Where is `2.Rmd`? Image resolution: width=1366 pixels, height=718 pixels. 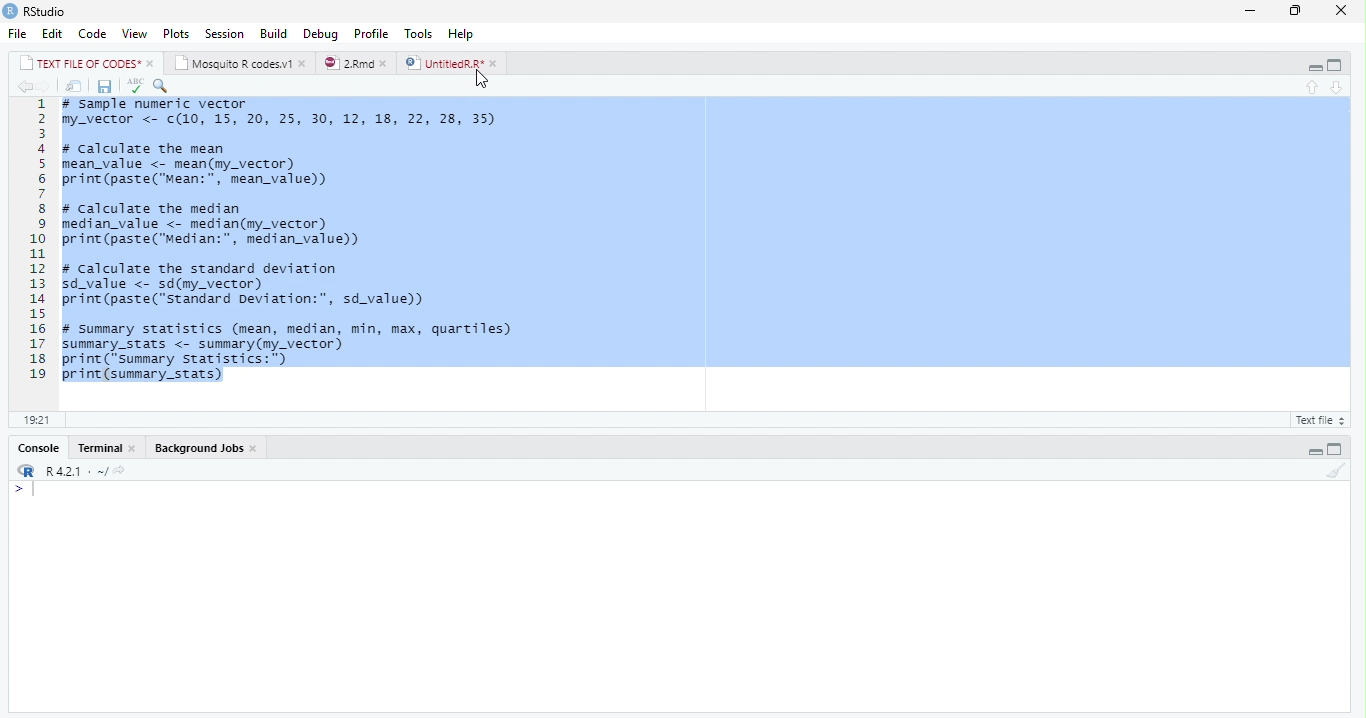
2.Rmd is located at coordinates (348, 63).